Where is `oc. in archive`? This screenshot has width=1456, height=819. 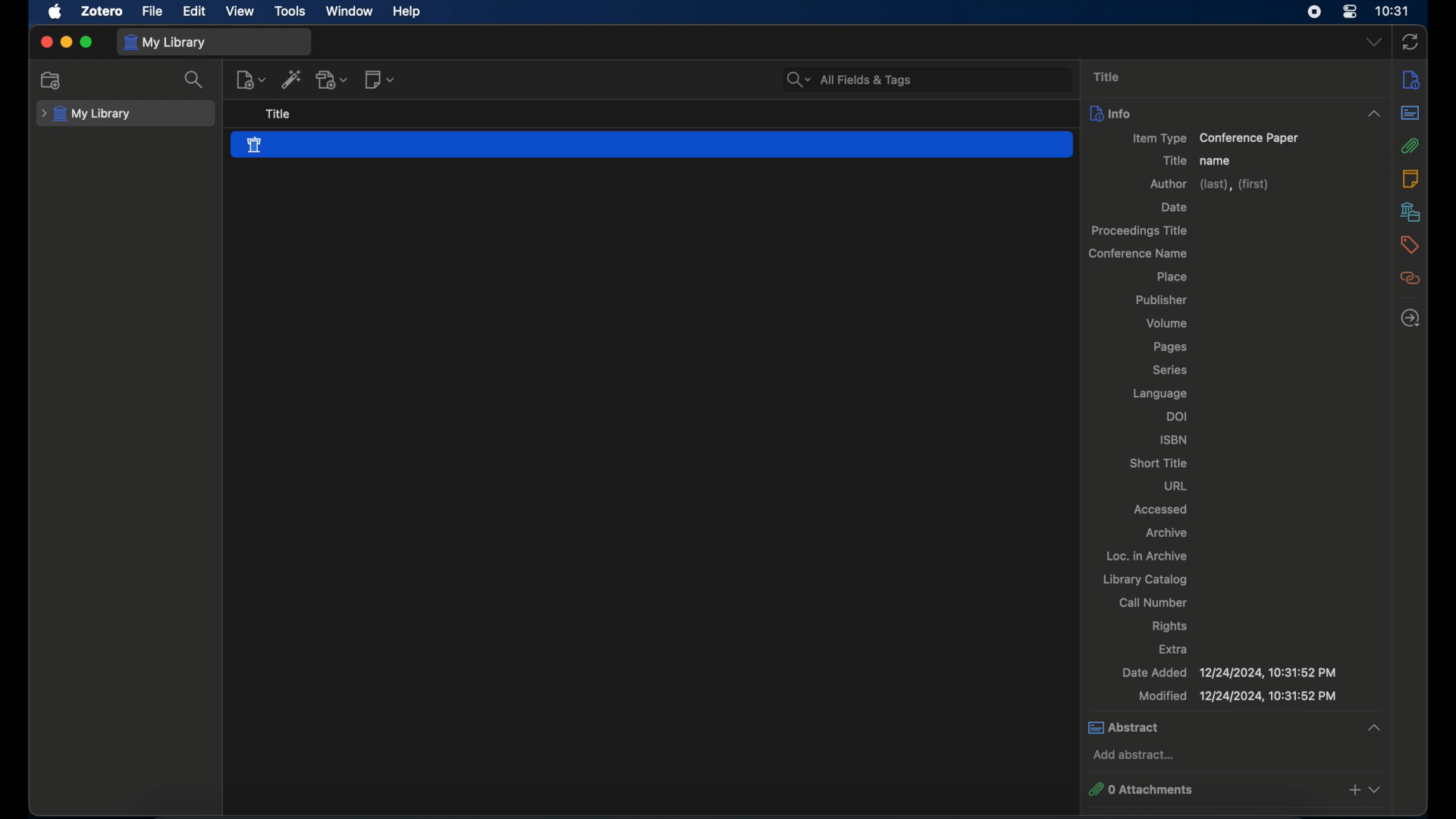 oc. in archive is located at coordinates (1143, 556).